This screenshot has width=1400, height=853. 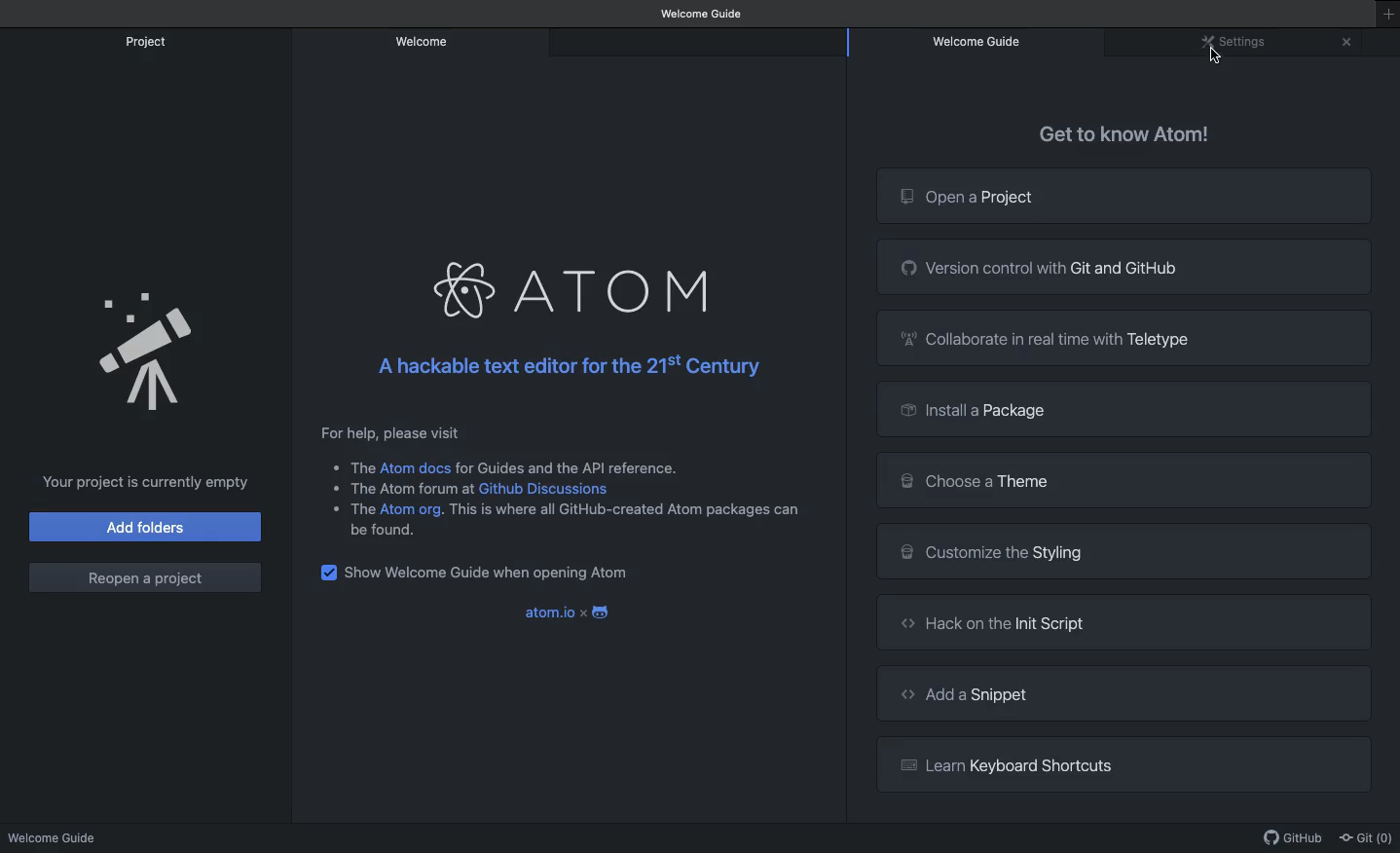 What do you see at coordinates (390, 431) in the screenshot?
I see `For help, please visit` at bounding box center [390, 431].